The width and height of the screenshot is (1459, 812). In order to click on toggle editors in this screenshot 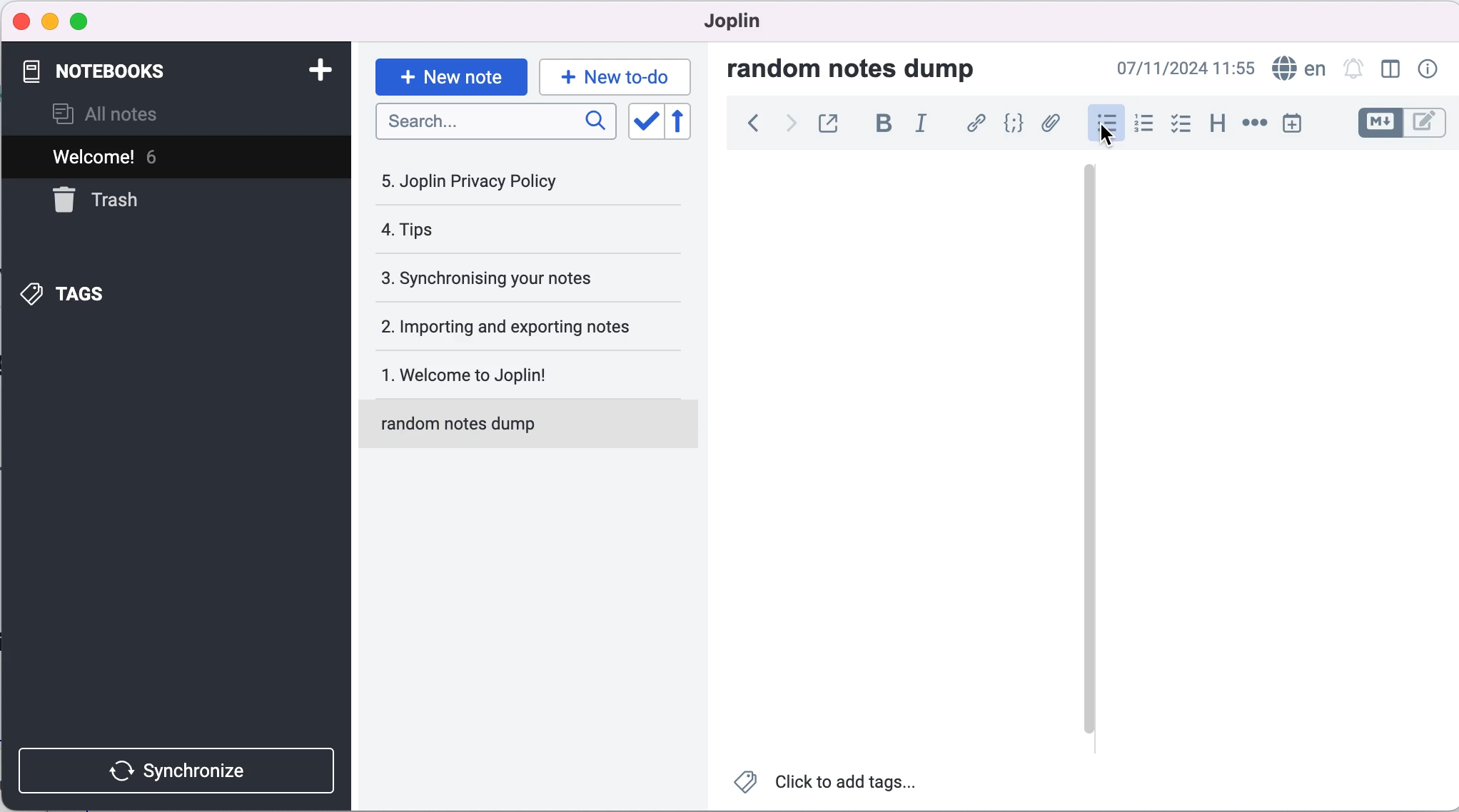, I will do `click(1400, 125)`.